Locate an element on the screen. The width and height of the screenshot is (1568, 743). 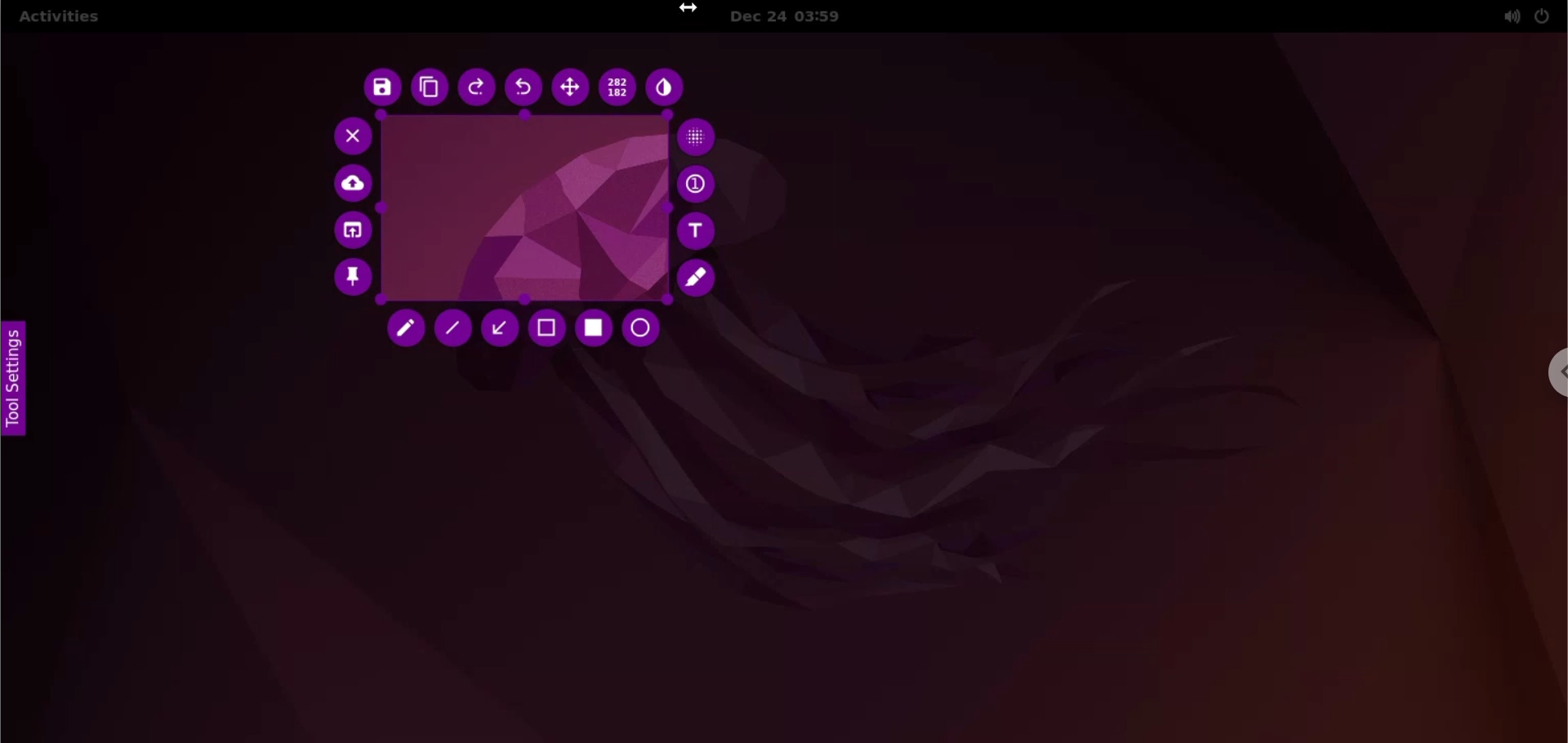
tool settings  is located at coordinates (14, 382).